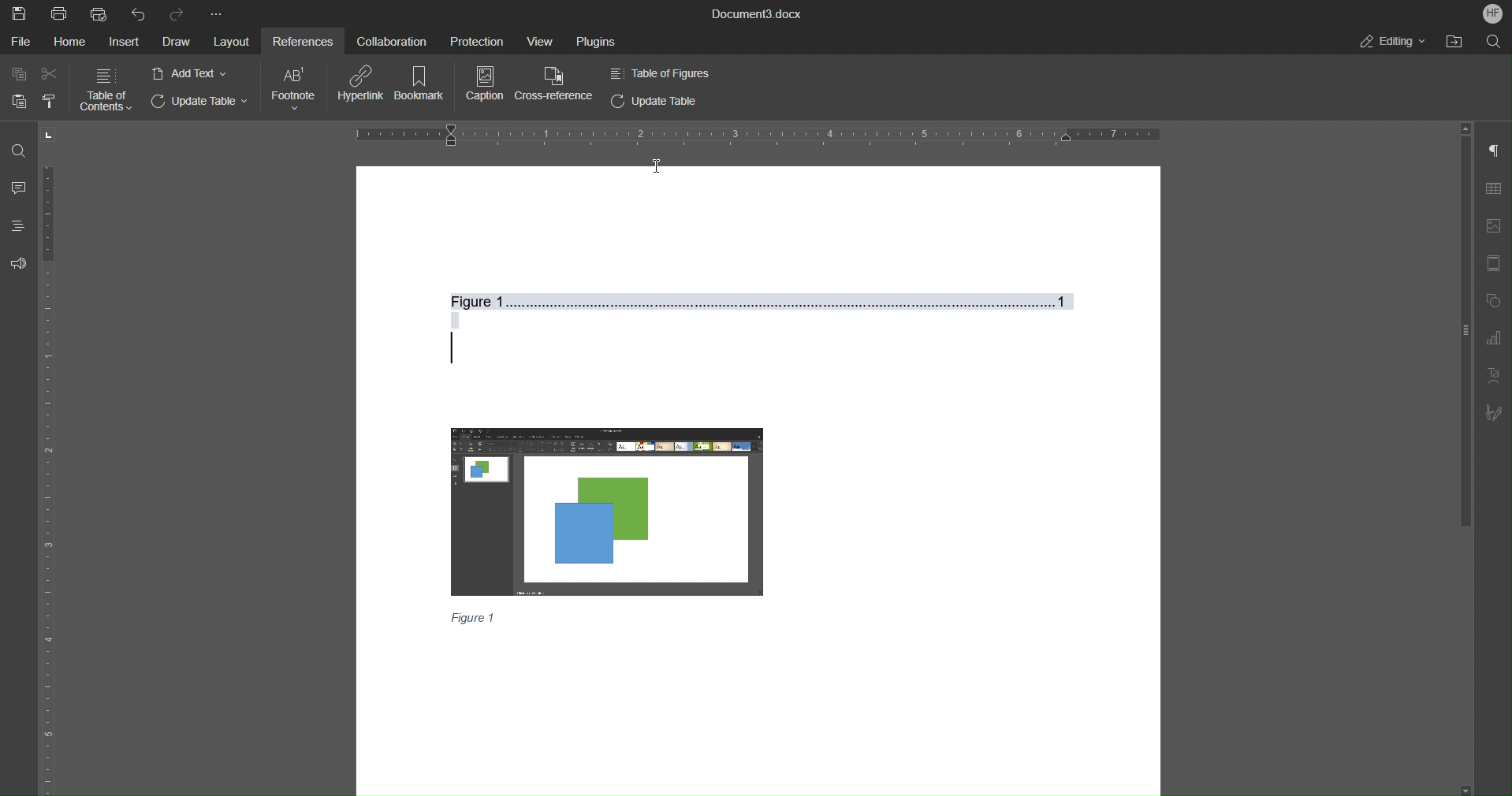 Image resolution: width=1512 pixels, height=796 pixels. What do you see at coordinates (300, 39) in the screenshot?
I see `References` at bounding box center [300, 39].